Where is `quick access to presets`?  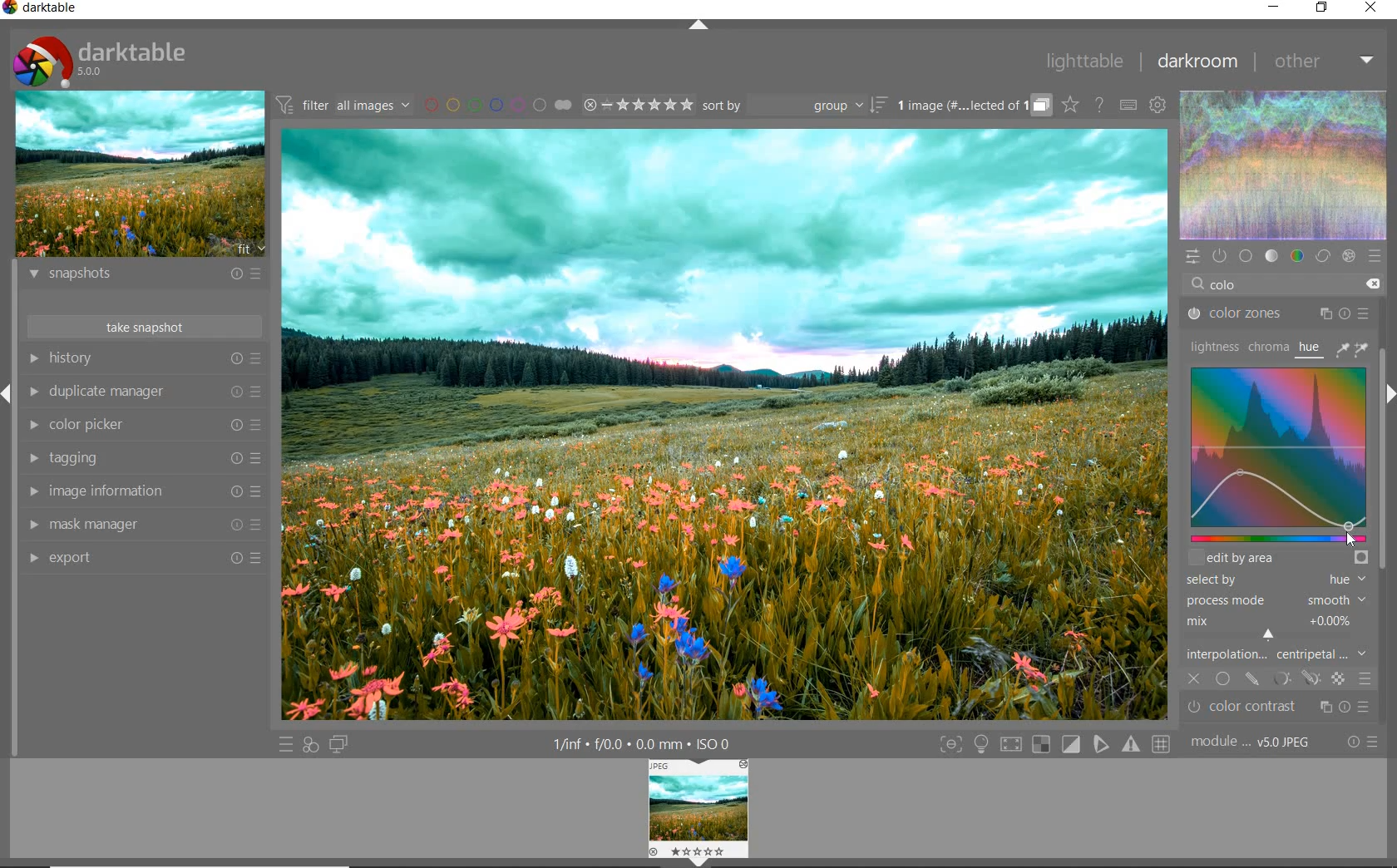
quick access to presets is located at coordinates (287, 745).